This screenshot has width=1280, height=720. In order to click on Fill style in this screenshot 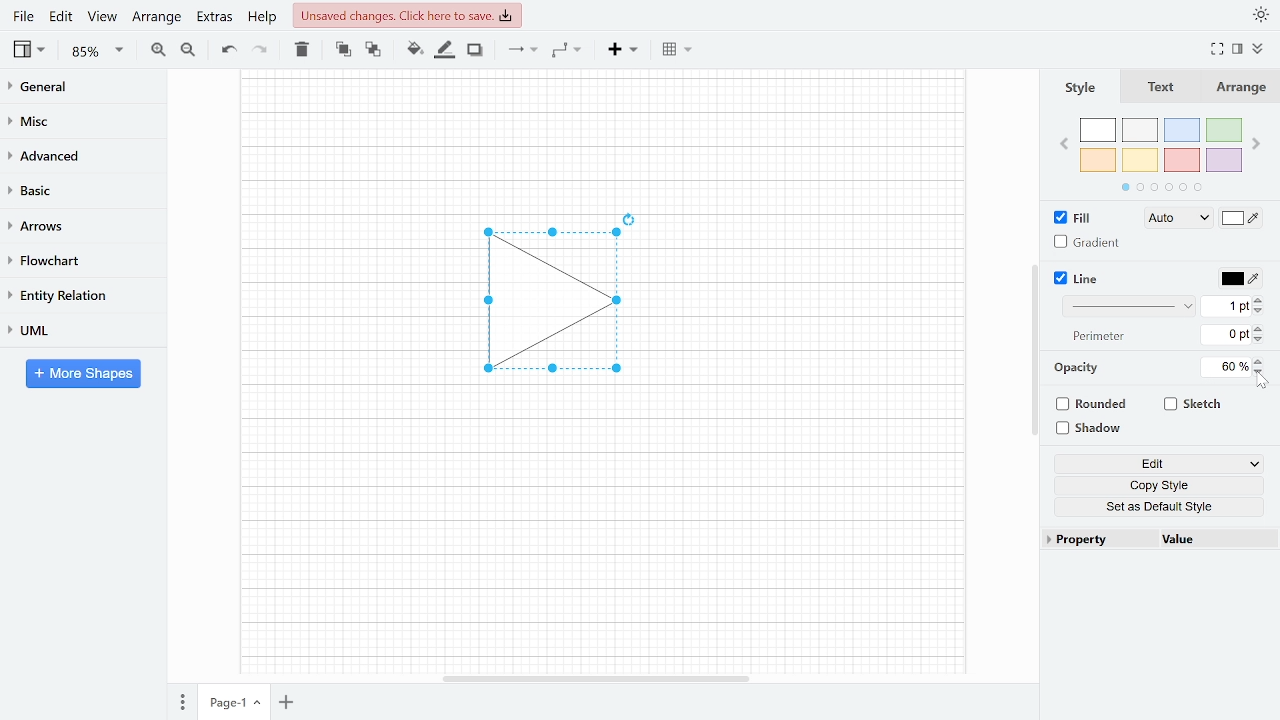, I will do `click(1174, 219)`.